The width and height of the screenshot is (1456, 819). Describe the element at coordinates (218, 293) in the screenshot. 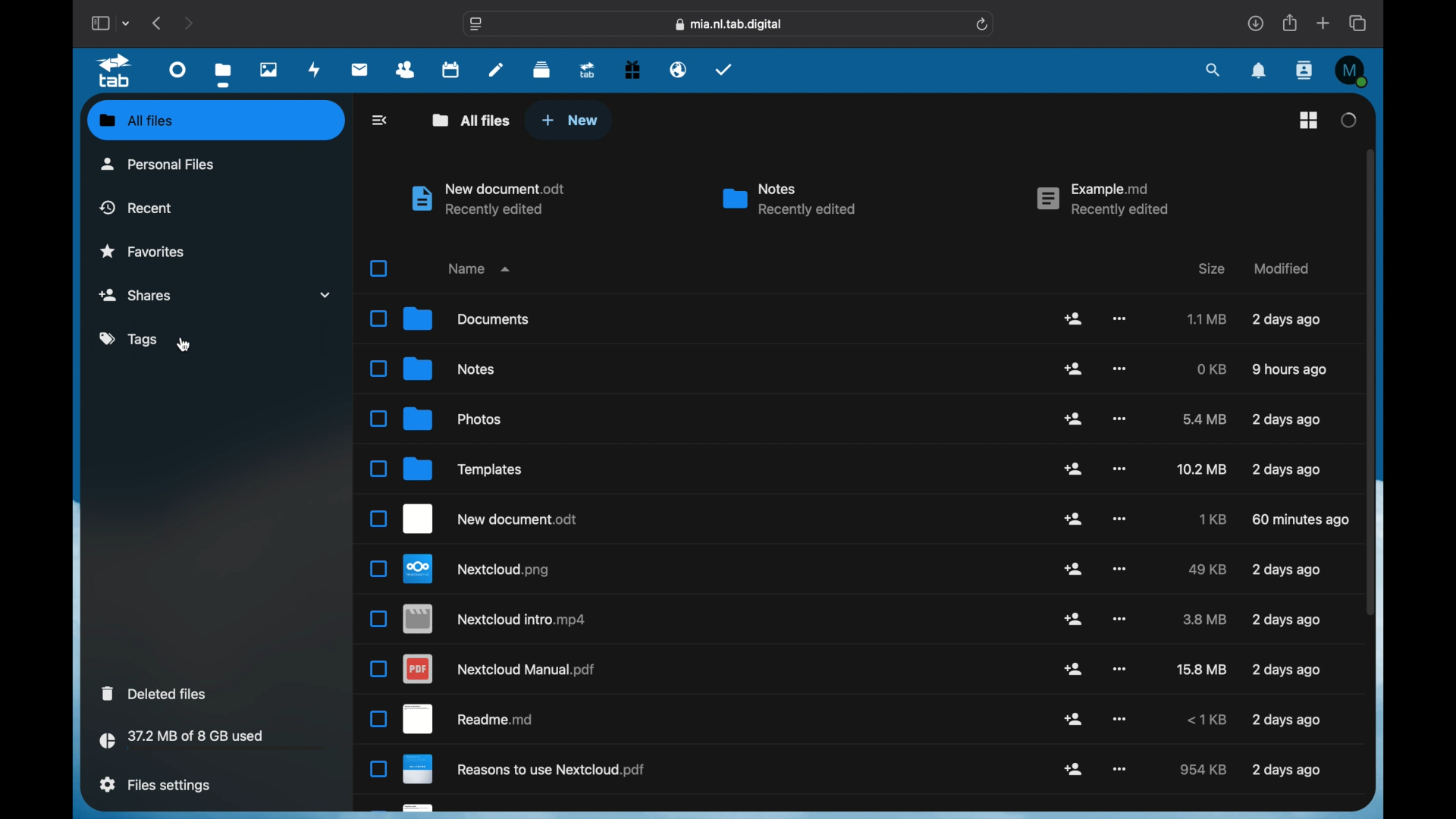

I see `shared` at that location.